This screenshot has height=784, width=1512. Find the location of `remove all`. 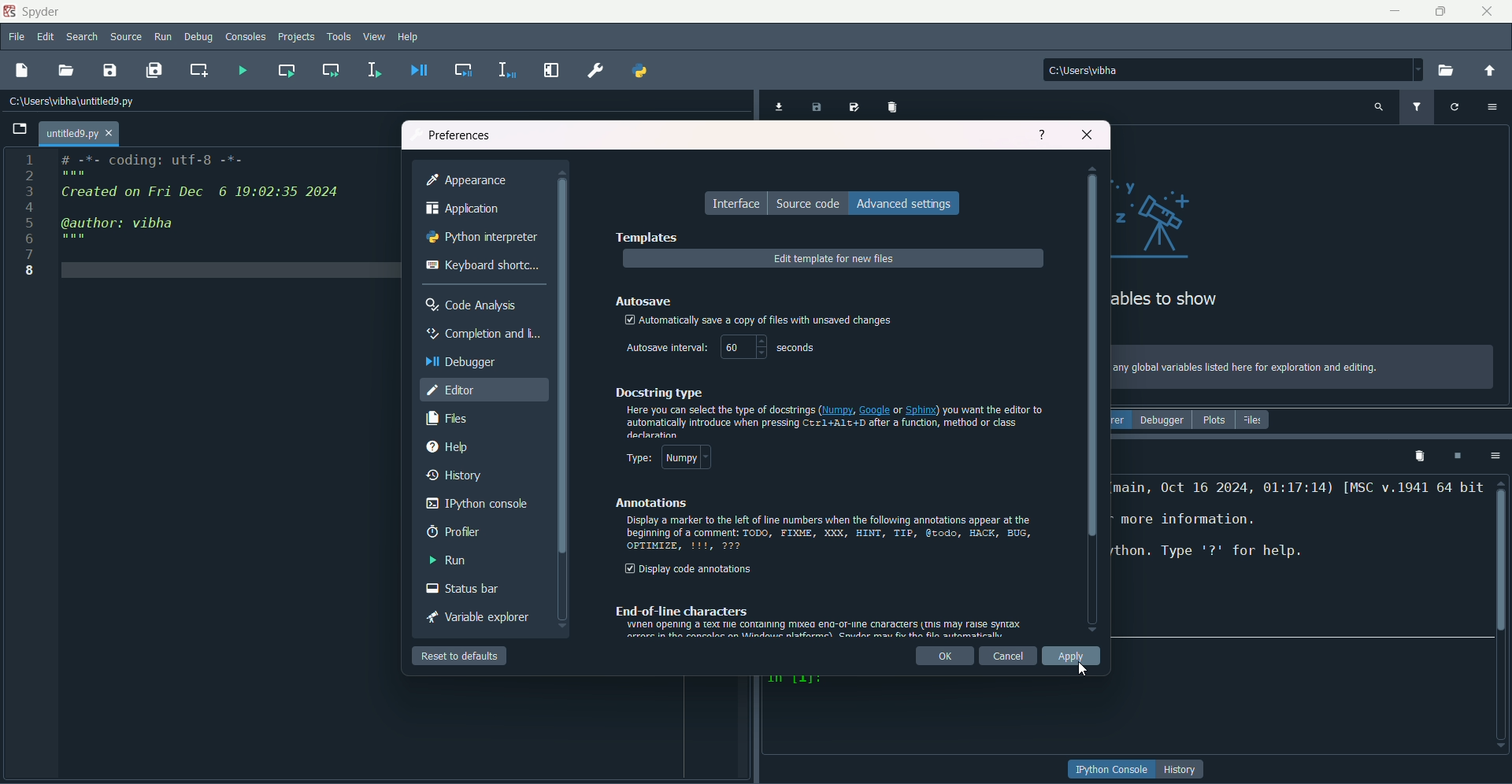

remove all is located at coordinates (1417, 455).